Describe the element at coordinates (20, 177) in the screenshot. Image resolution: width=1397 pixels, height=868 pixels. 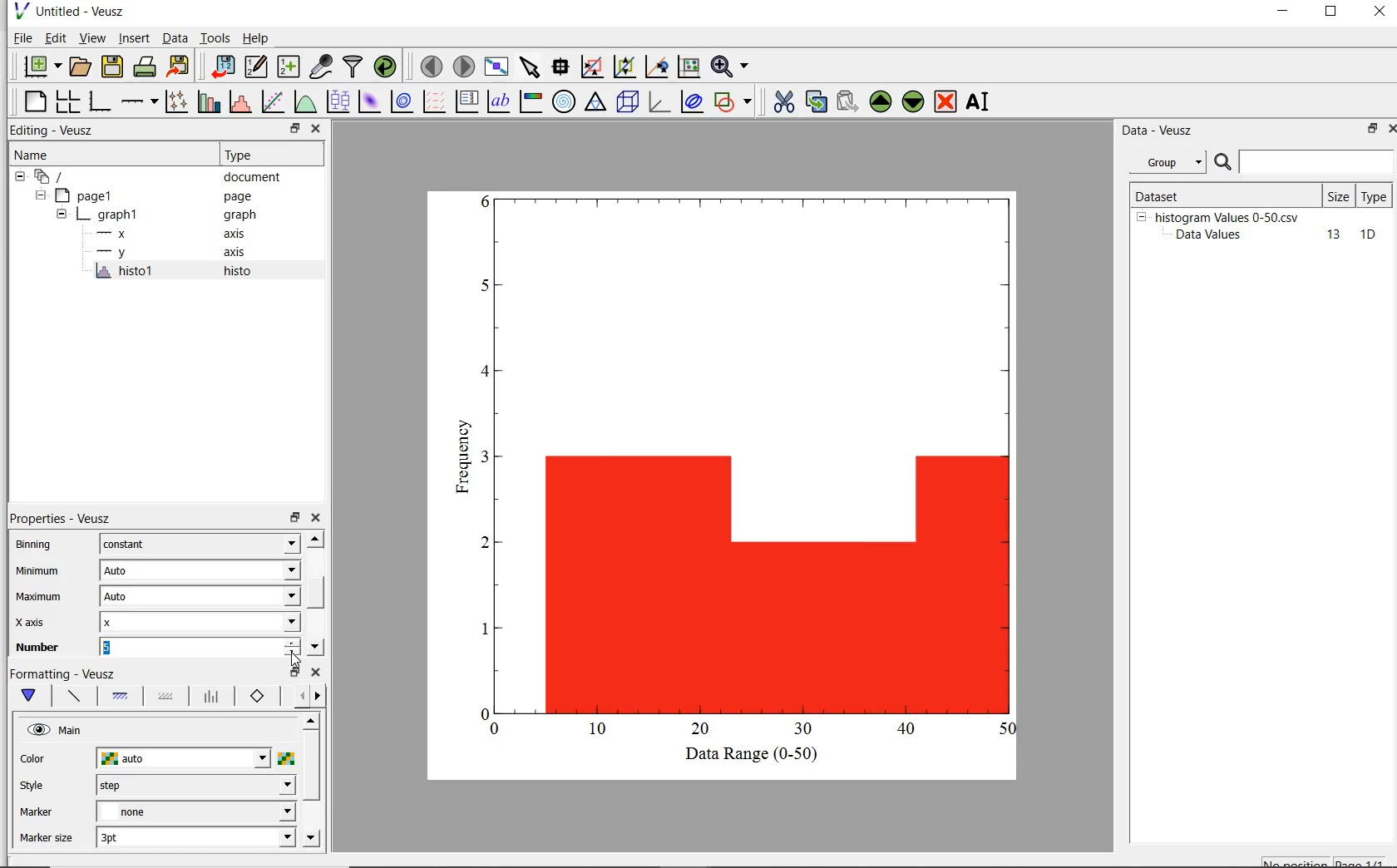
I see `hide` at that location.